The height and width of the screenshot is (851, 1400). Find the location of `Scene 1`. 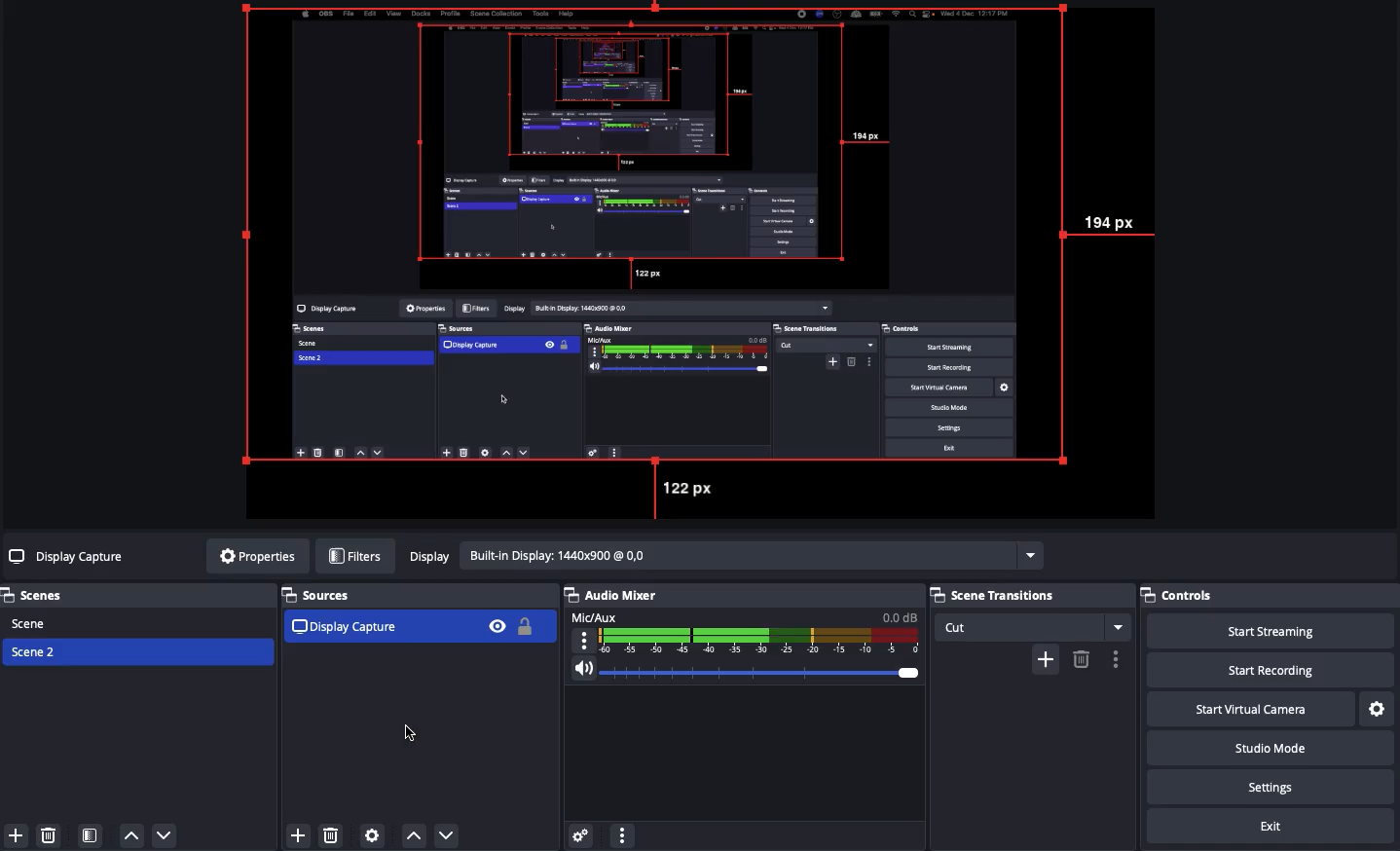

Scene 1 is located at coordinates (32, 622).